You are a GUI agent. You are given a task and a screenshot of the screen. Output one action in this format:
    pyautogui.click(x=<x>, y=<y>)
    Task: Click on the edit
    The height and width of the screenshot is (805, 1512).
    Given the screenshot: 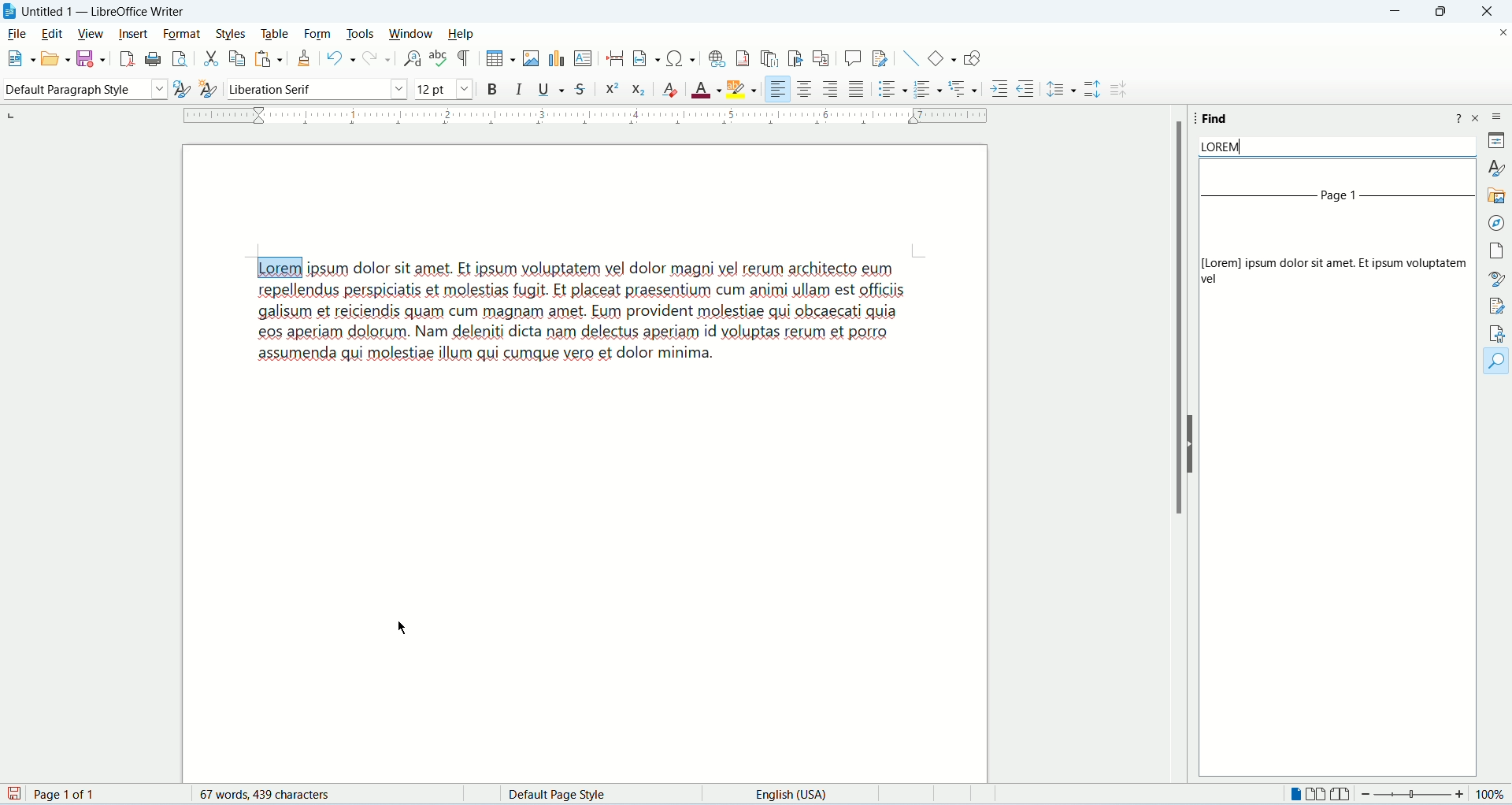 What is the action you would take?
    pyautogui.click(x=51, y=34)
    